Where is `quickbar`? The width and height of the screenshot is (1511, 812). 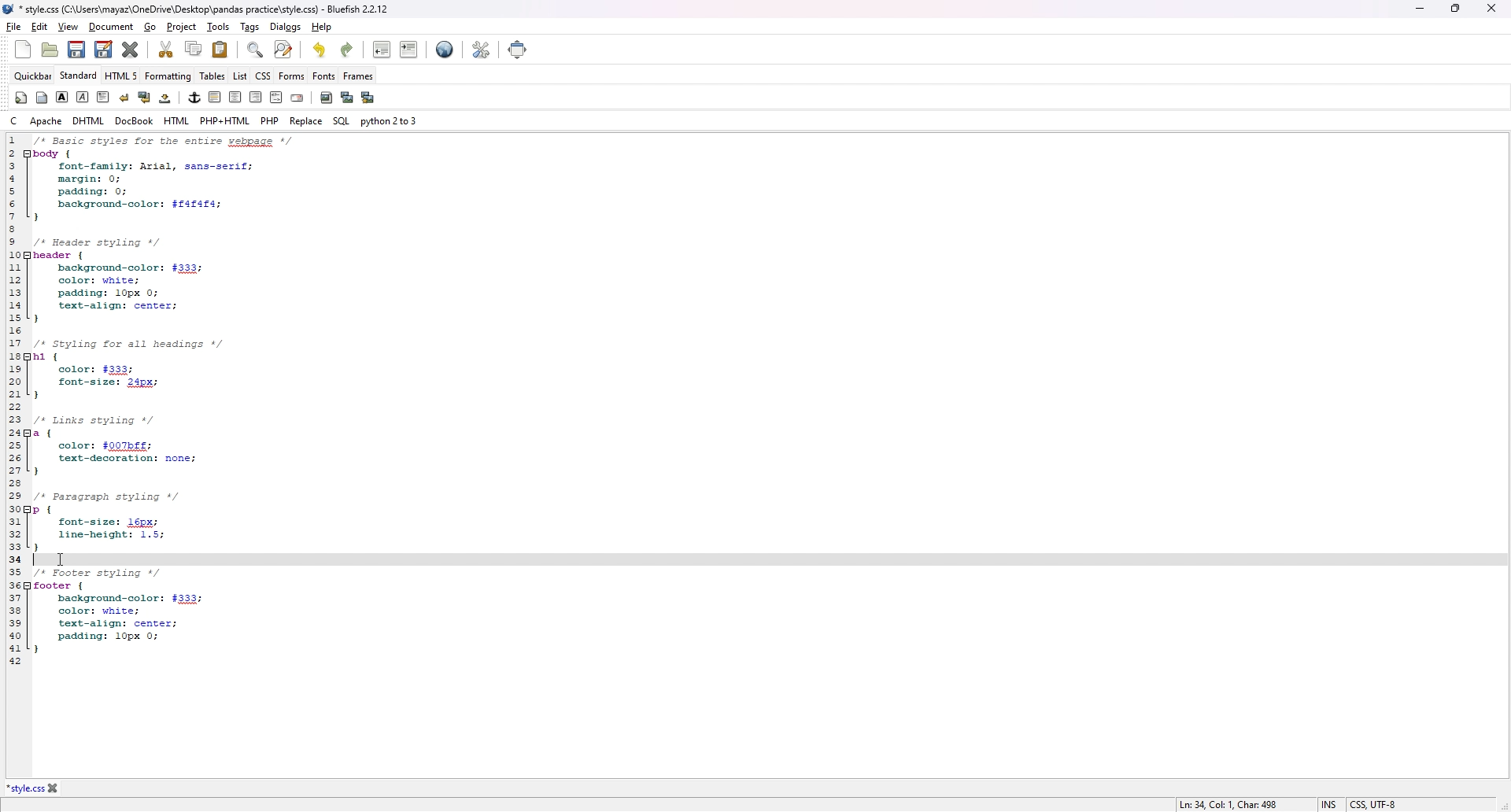 quickbar is located at coordinates (33, 76).